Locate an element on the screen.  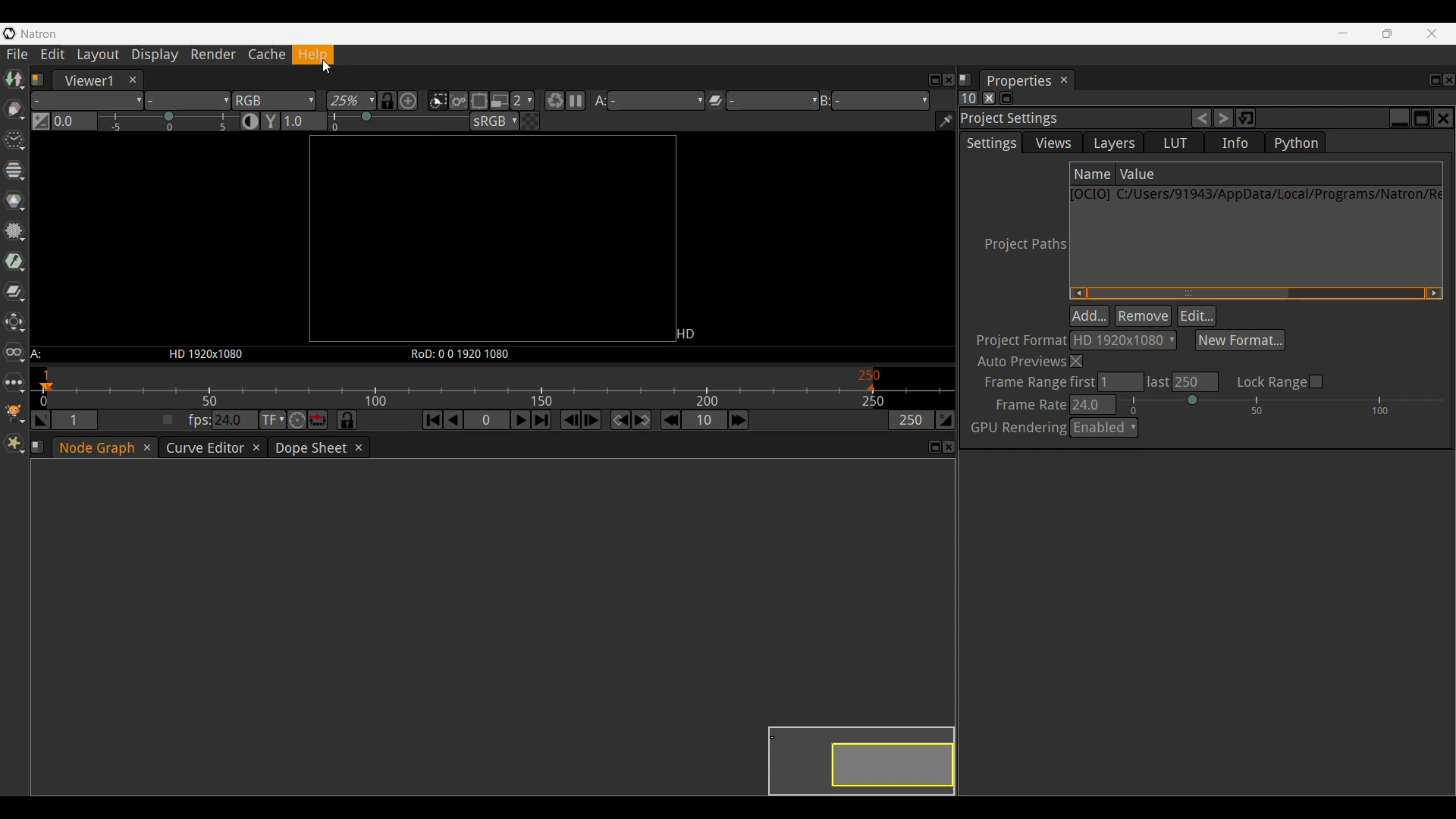
Info settings is located at coordinates (1235, 143).